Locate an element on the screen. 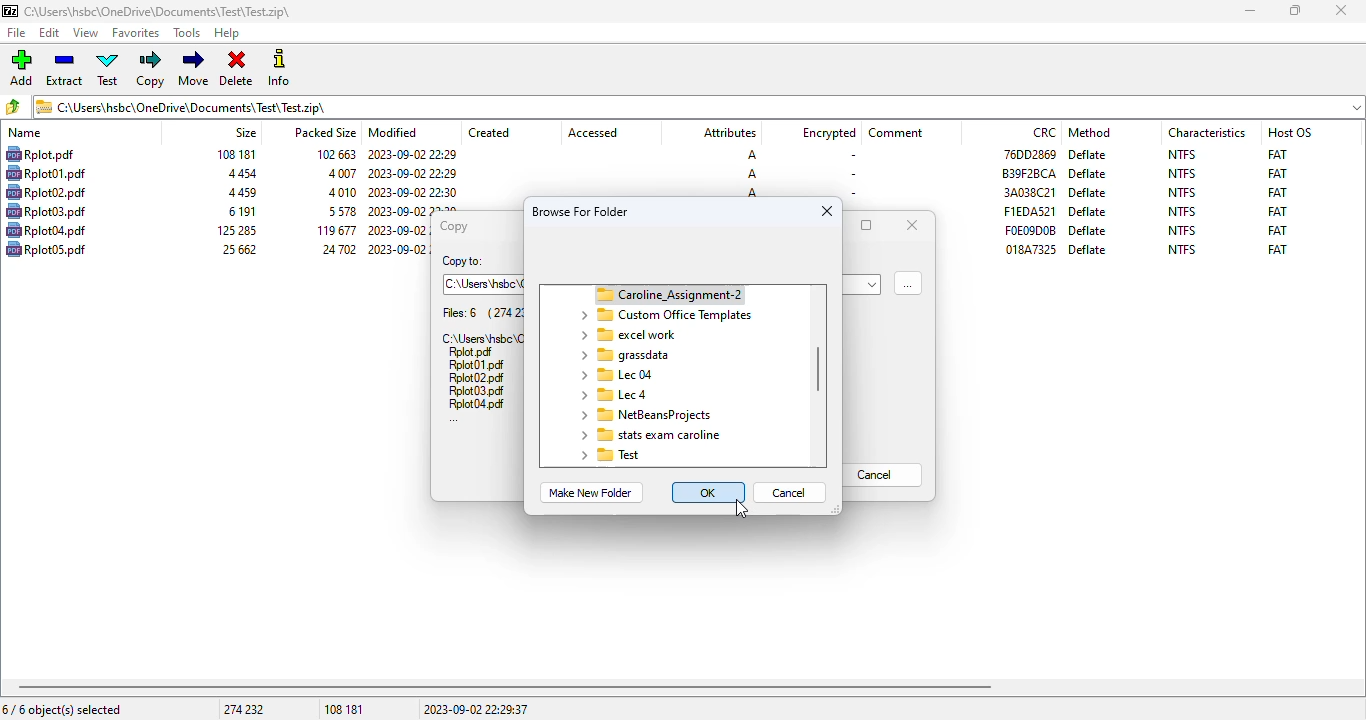 The height and width of the screenshot is (720, 1366). edit is located at coordinates (50, 33).